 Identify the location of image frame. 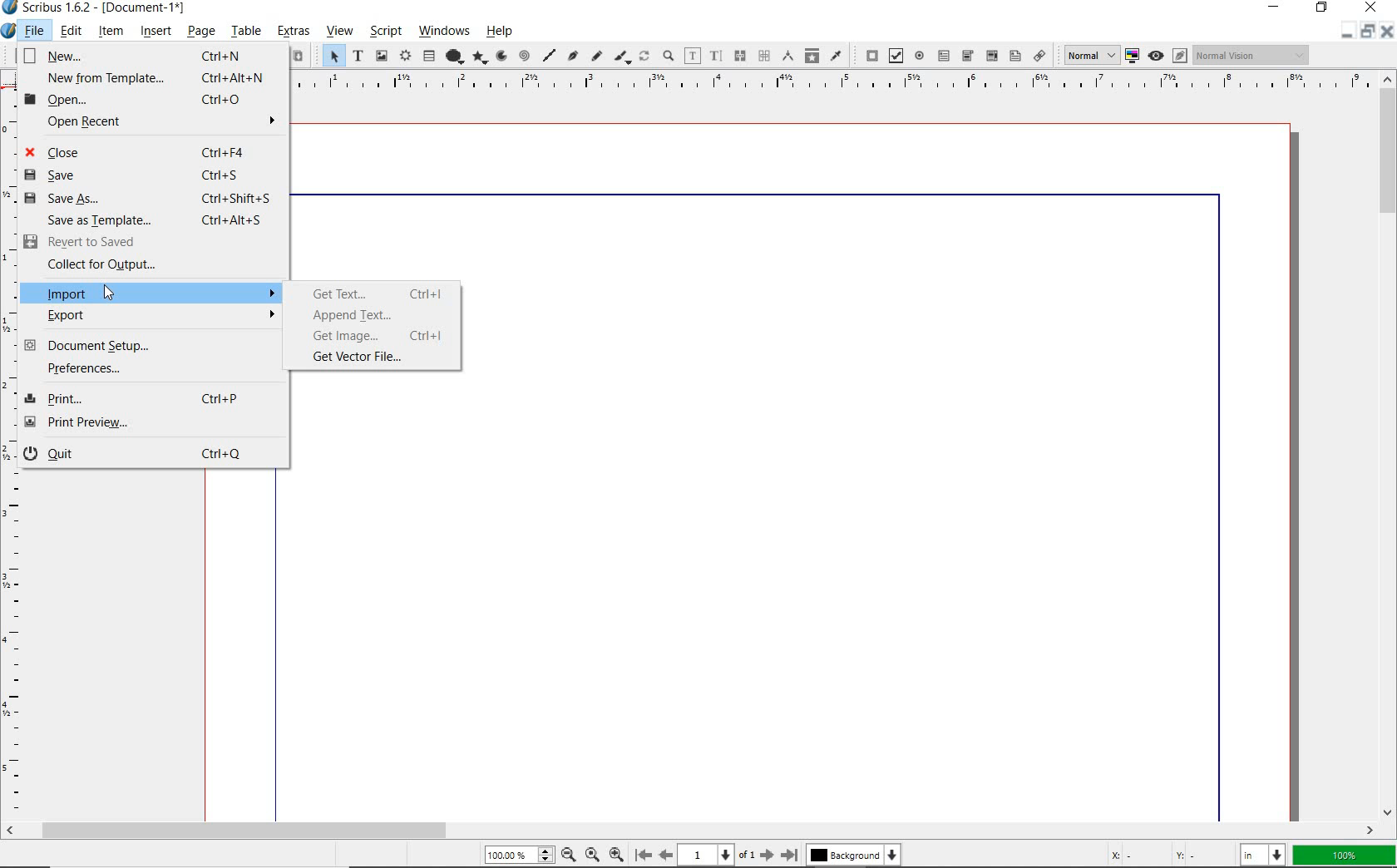
(380, 57).